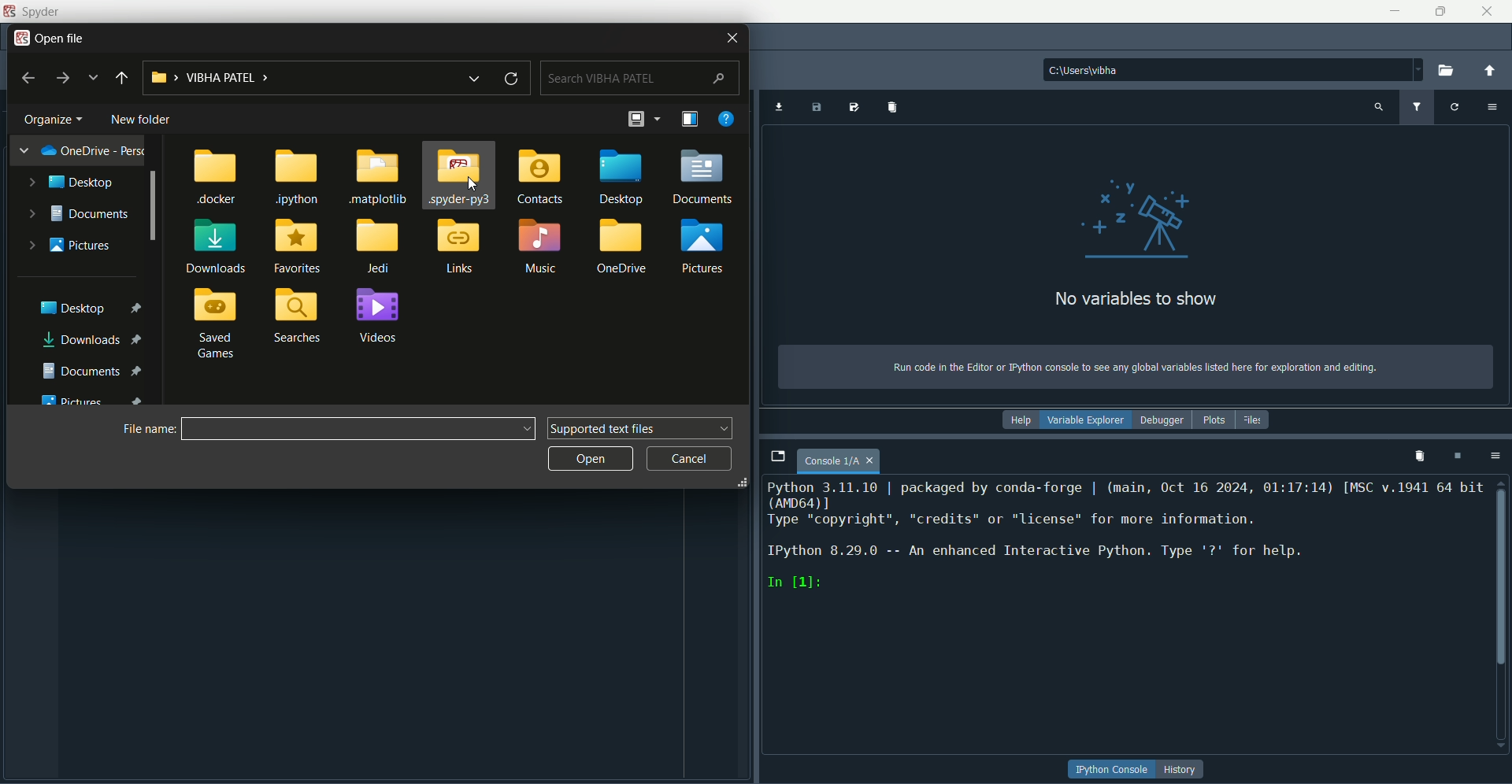  What do you see at coordinates (1138, 301) in the screenshot?
I see `text` at bounding box center [1138, 301].